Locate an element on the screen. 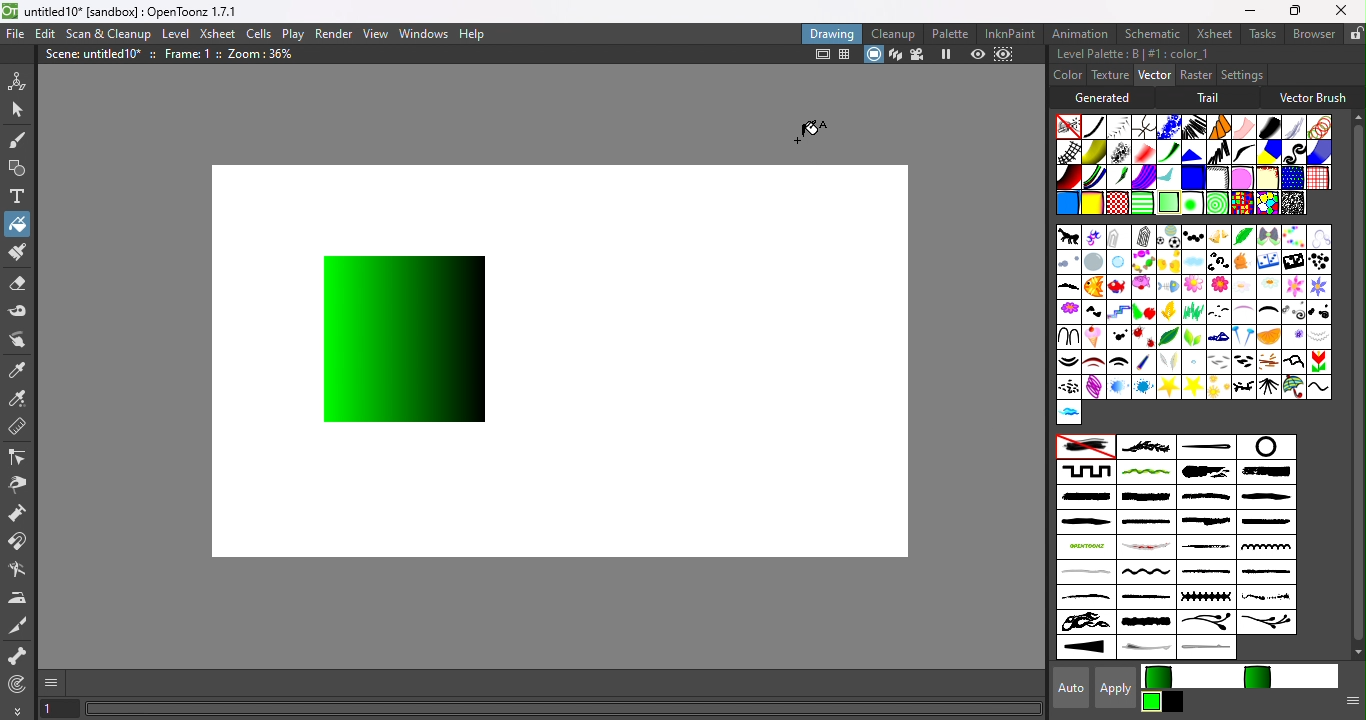 This screenshot has height=720, width=1366. Linear gradient is located at coordinates (1167, 201).